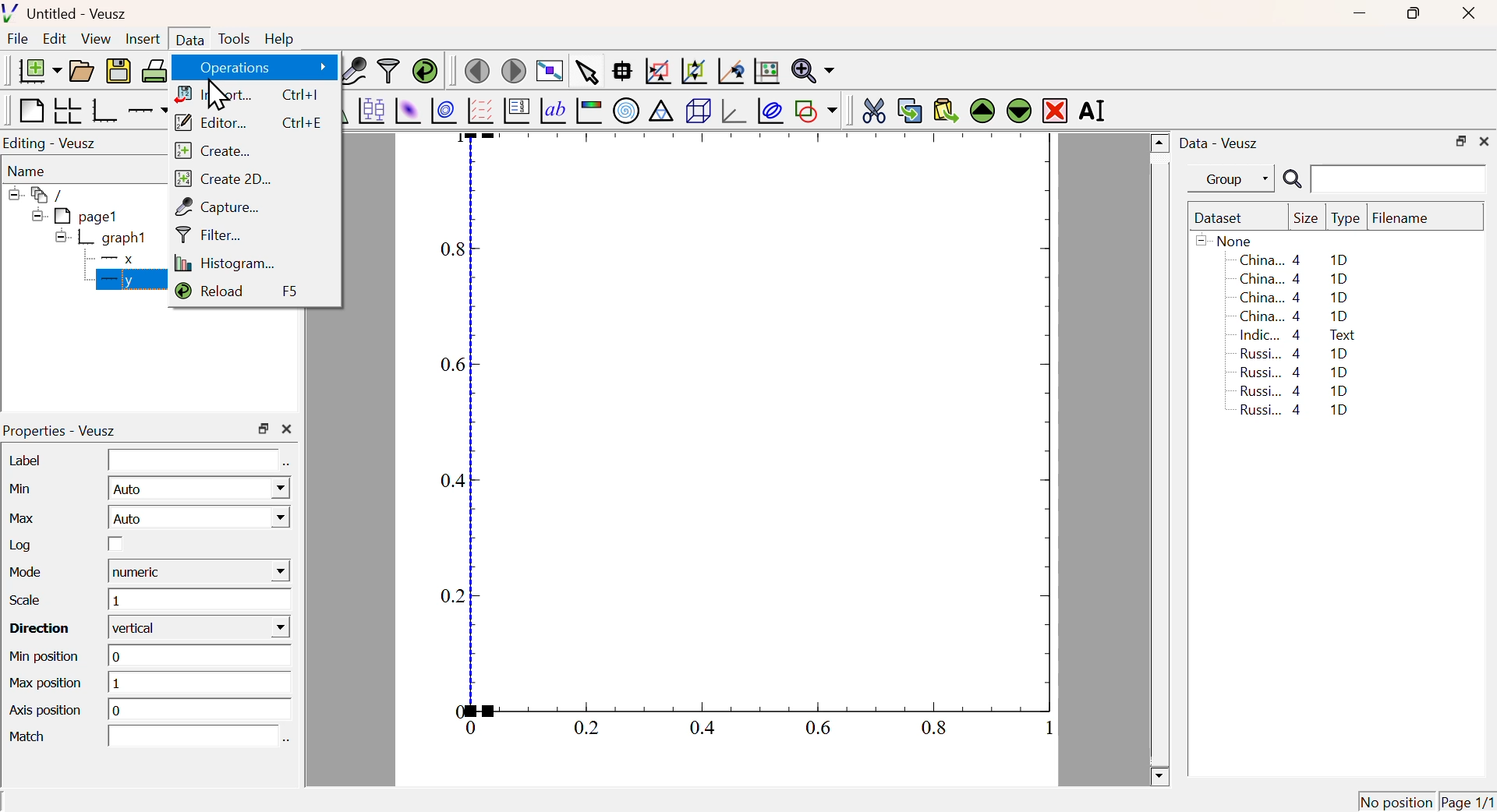  Describe the element at coordinates (1222, 219) in the screenshot. I see `Dataset` at that location.